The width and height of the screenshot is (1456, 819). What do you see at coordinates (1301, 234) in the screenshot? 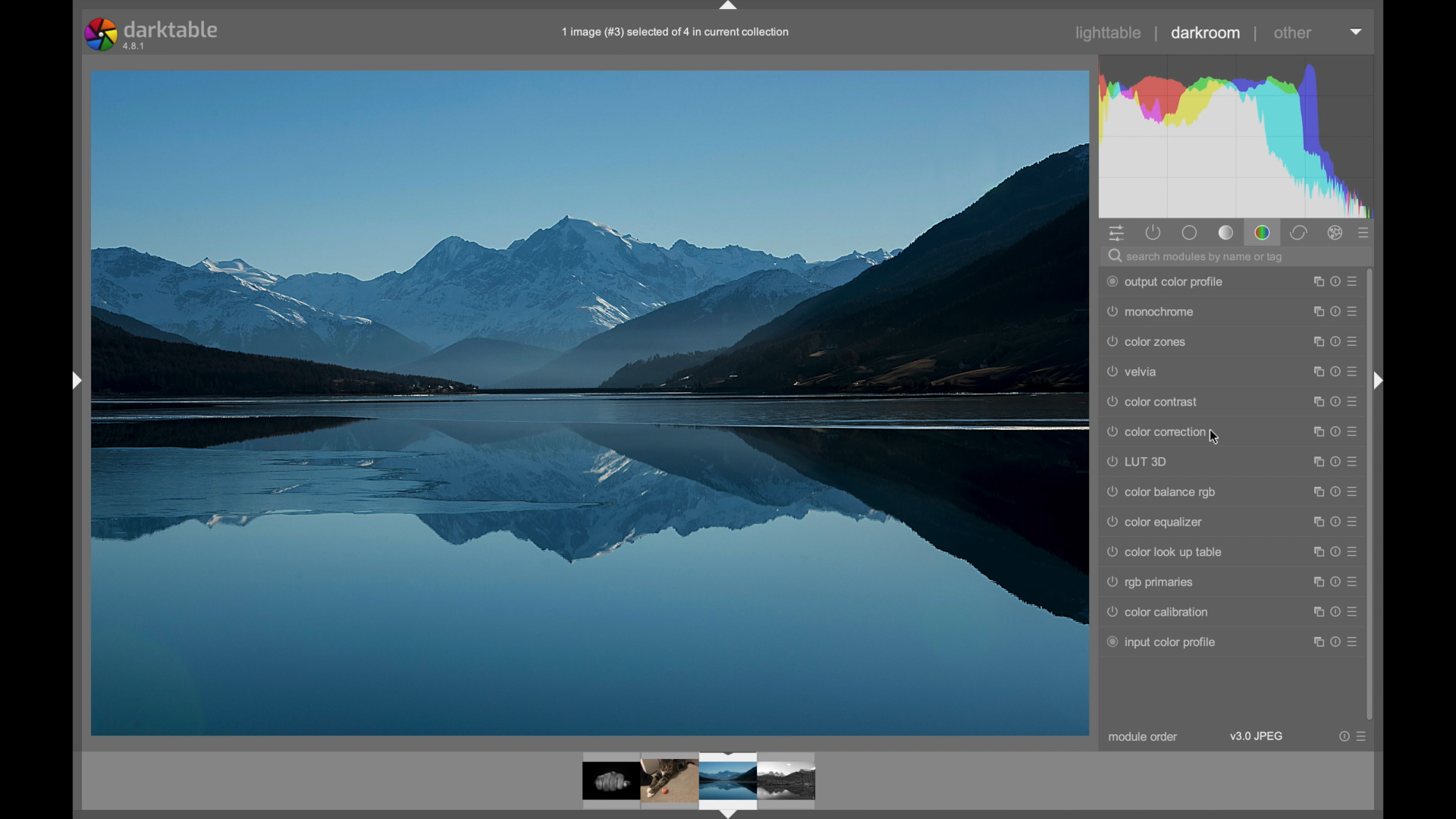
I see `correct` at bounding box center [1301, 234].